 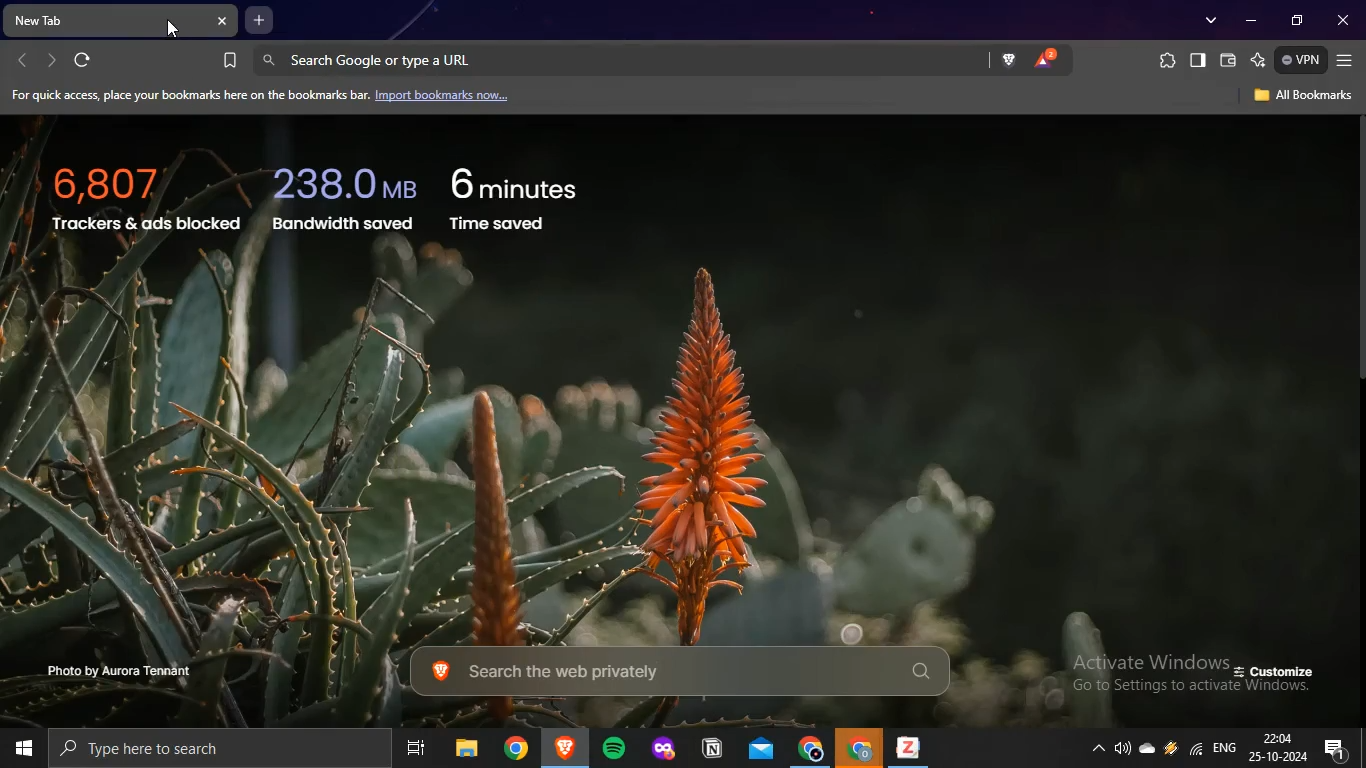 What do you see at coordinates (1302, 98) in the screenshot?
I see `all bookmarks` at bounding box center [1302, 98].